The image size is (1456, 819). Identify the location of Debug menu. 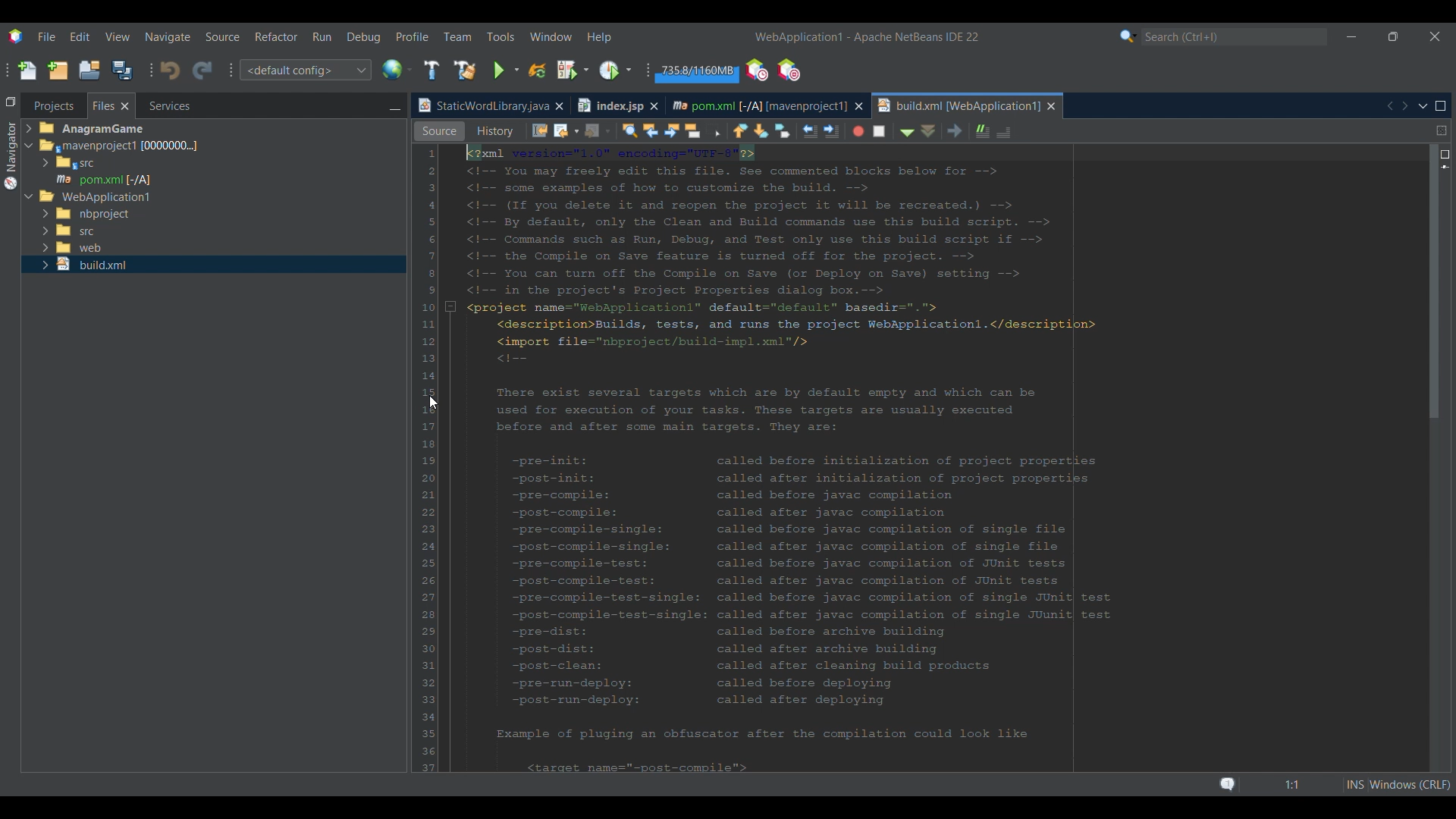
(364, 37).